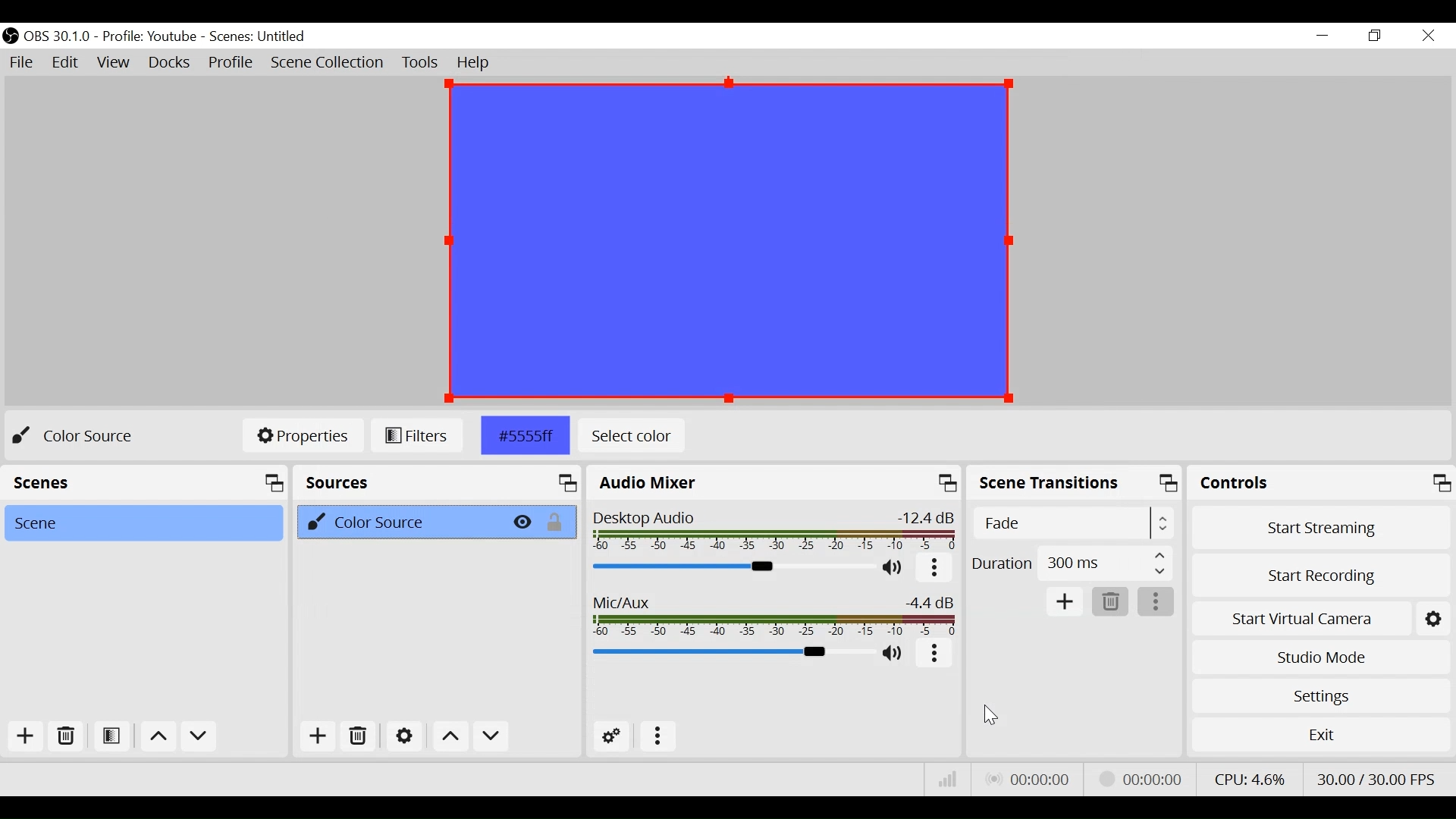 The image size is (1456, 819). Describe the element at coordinates (9, 36) in the screenshot. I see `OBS Desktop Icon` at that location.